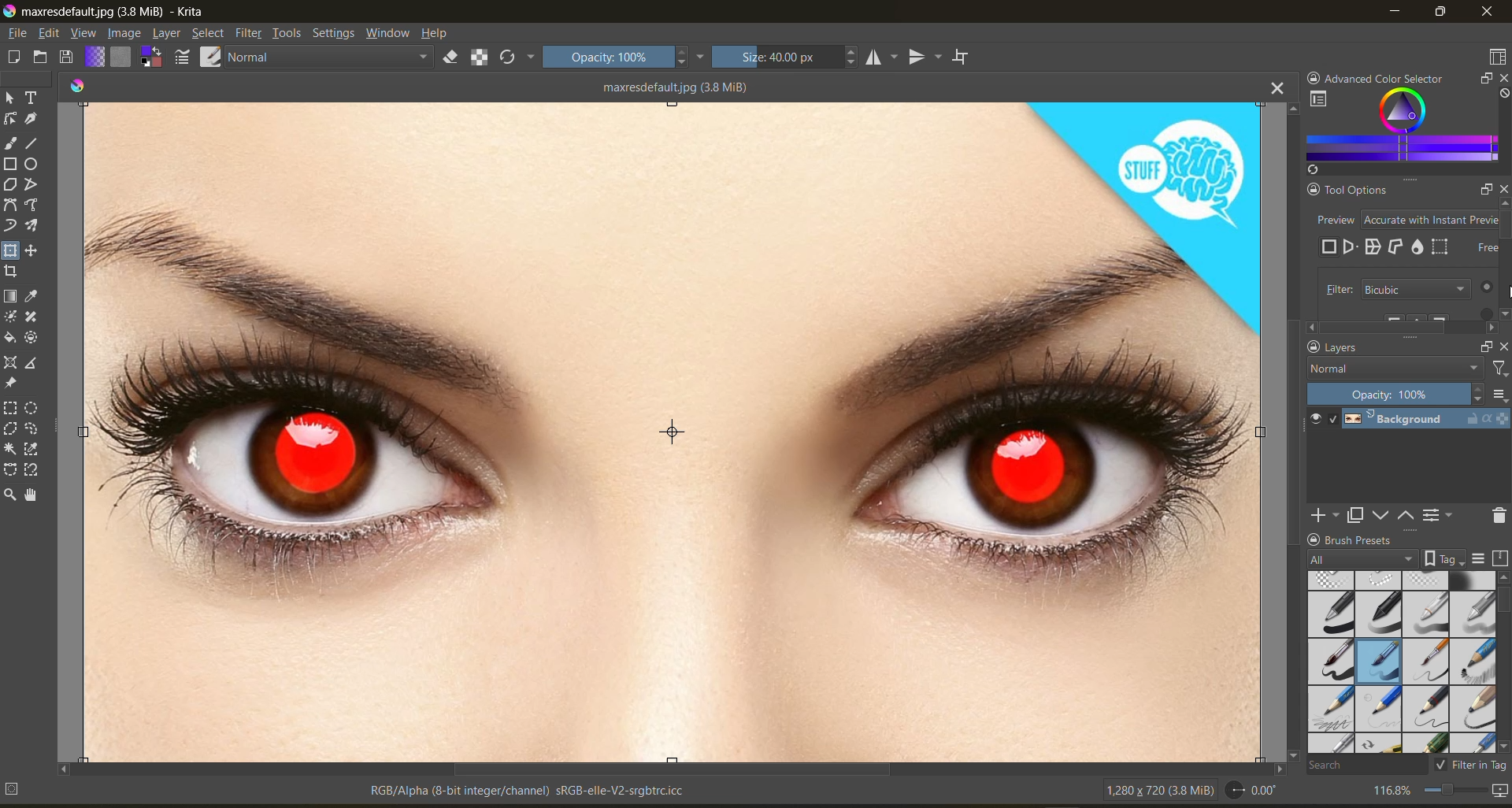 Image resolution: width=1512 pixels, height=808 pixels. I want to click on tool, so click(9, 496).